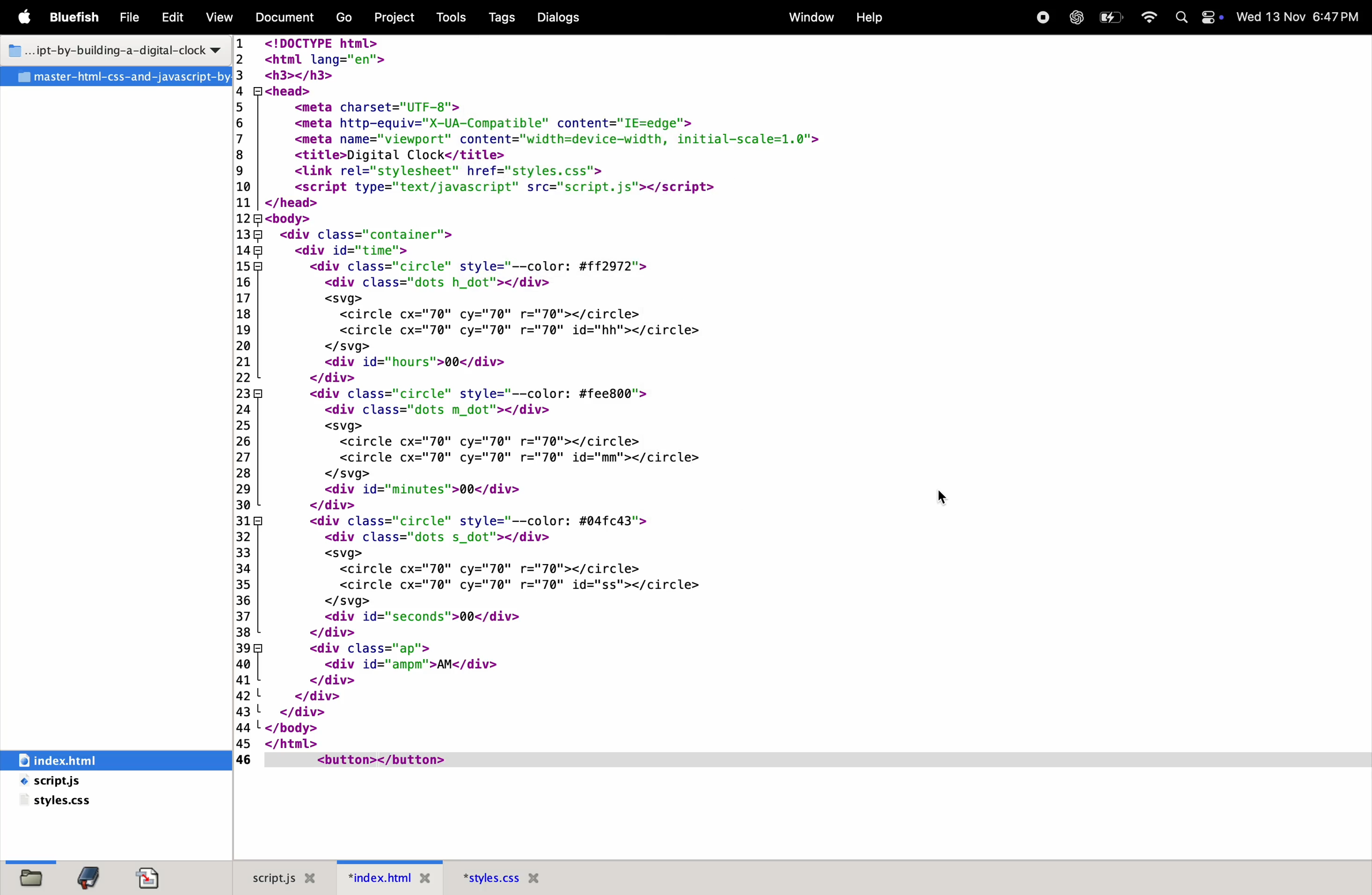 This screenshot has width=1372, height=895. What do you see at coordinates (379, 761) in the screenshot?
I see `button tag` at bounding box center [379, 761].